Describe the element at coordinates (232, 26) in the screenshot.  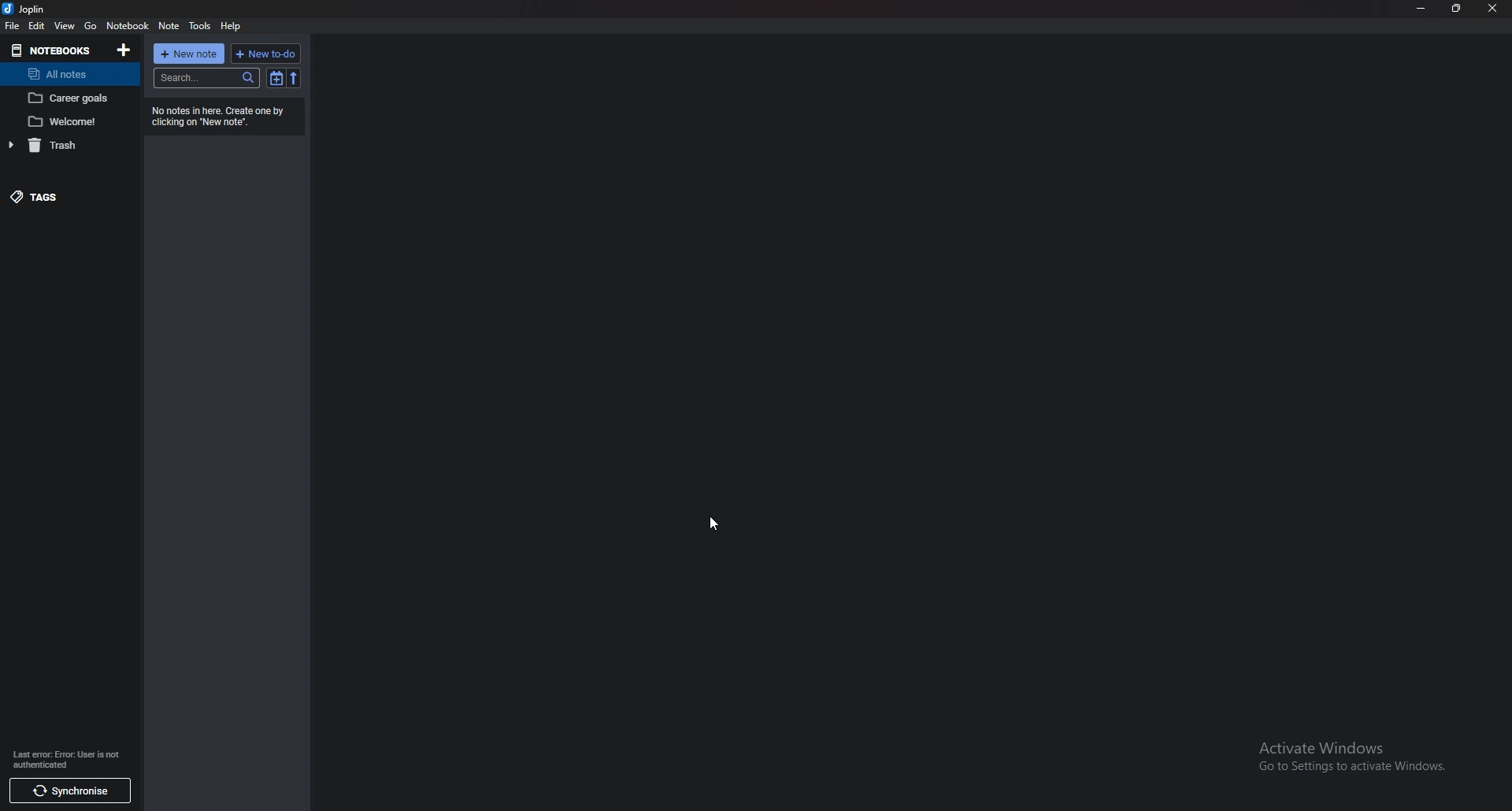
I see `help` at that location.